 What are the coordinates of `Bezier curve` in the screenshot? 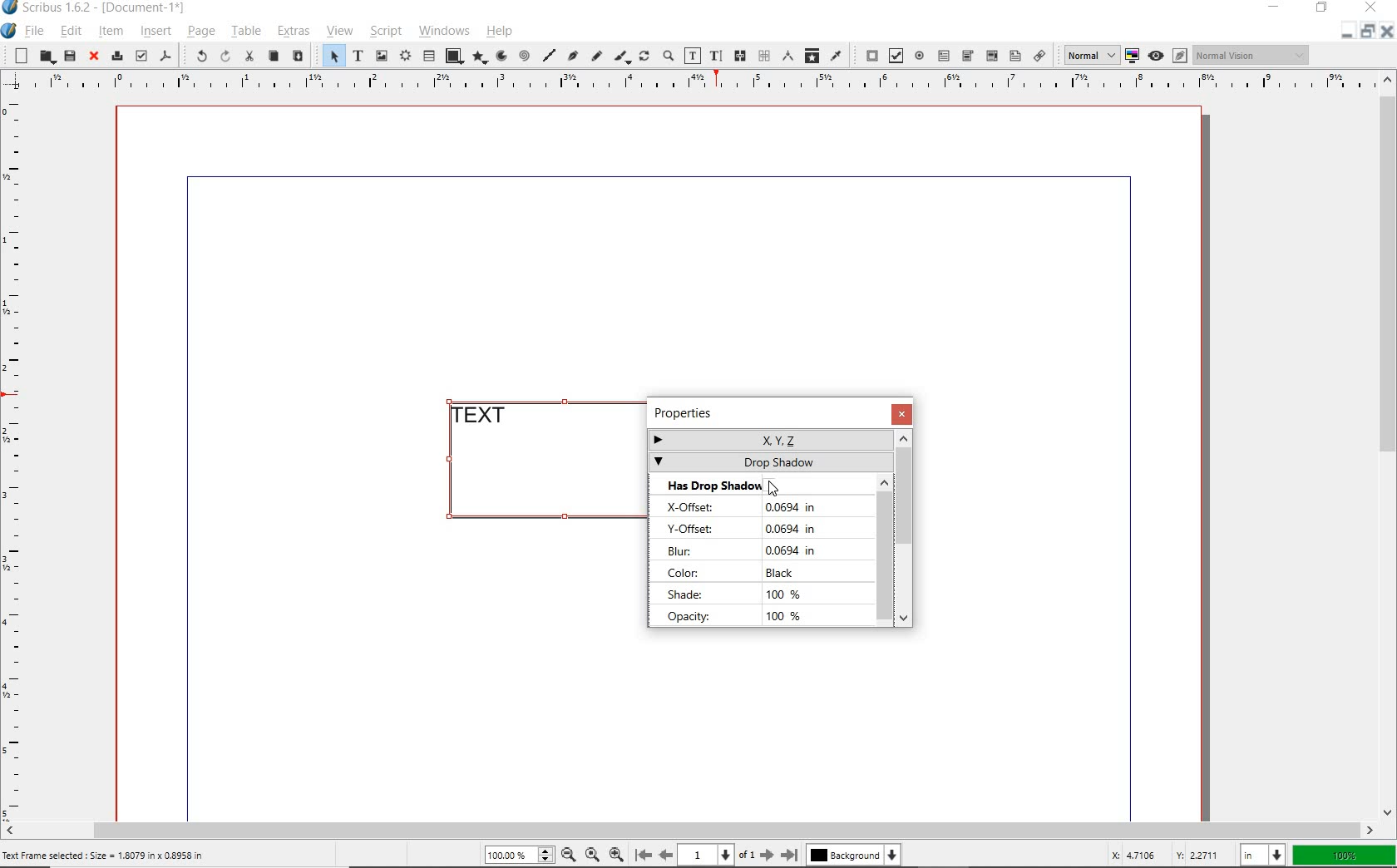 It's located at (572, 55).